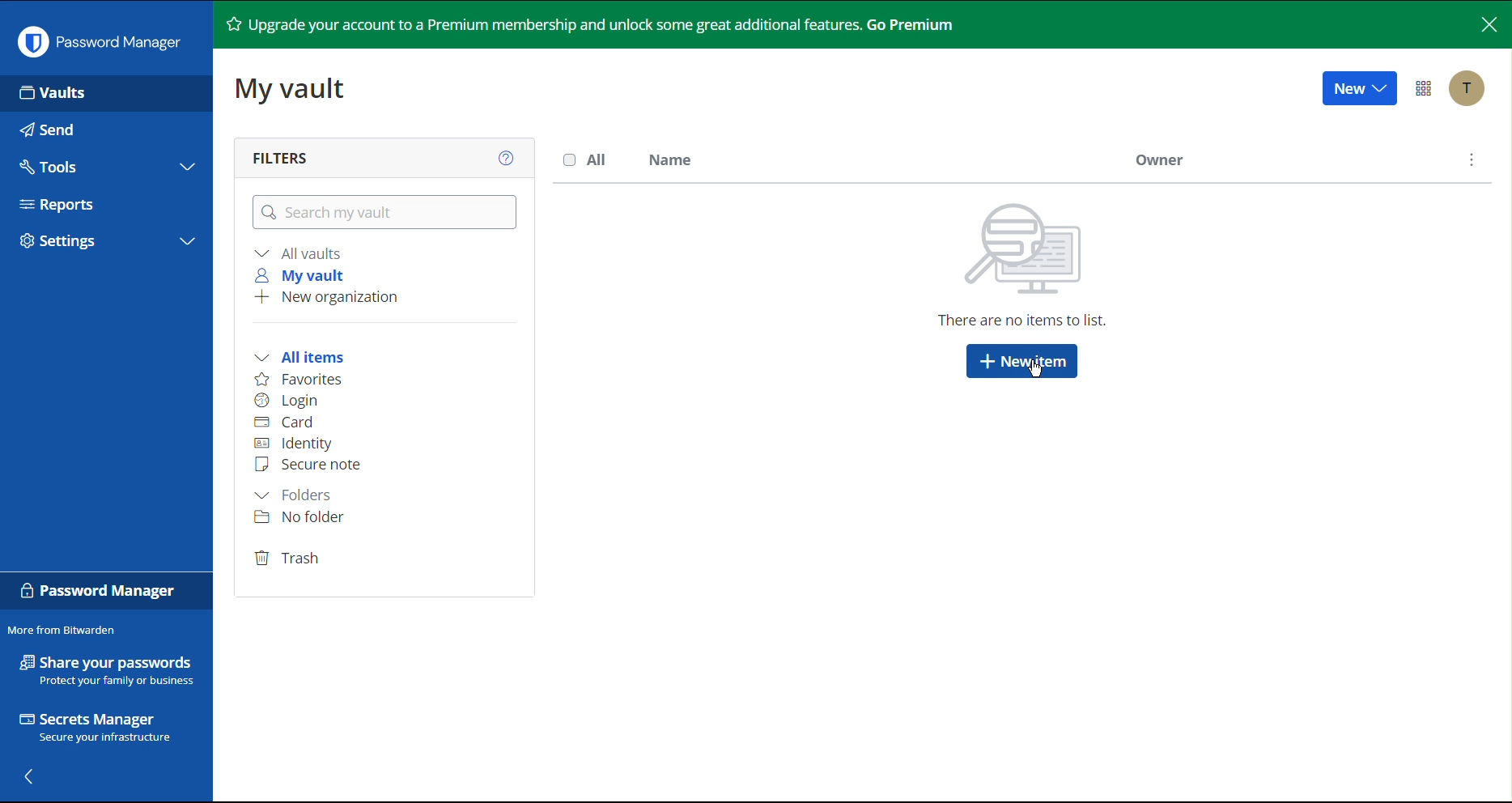 This screenshot has width=1512, height=803. I want to click on Search my vault, so click(385, 212).